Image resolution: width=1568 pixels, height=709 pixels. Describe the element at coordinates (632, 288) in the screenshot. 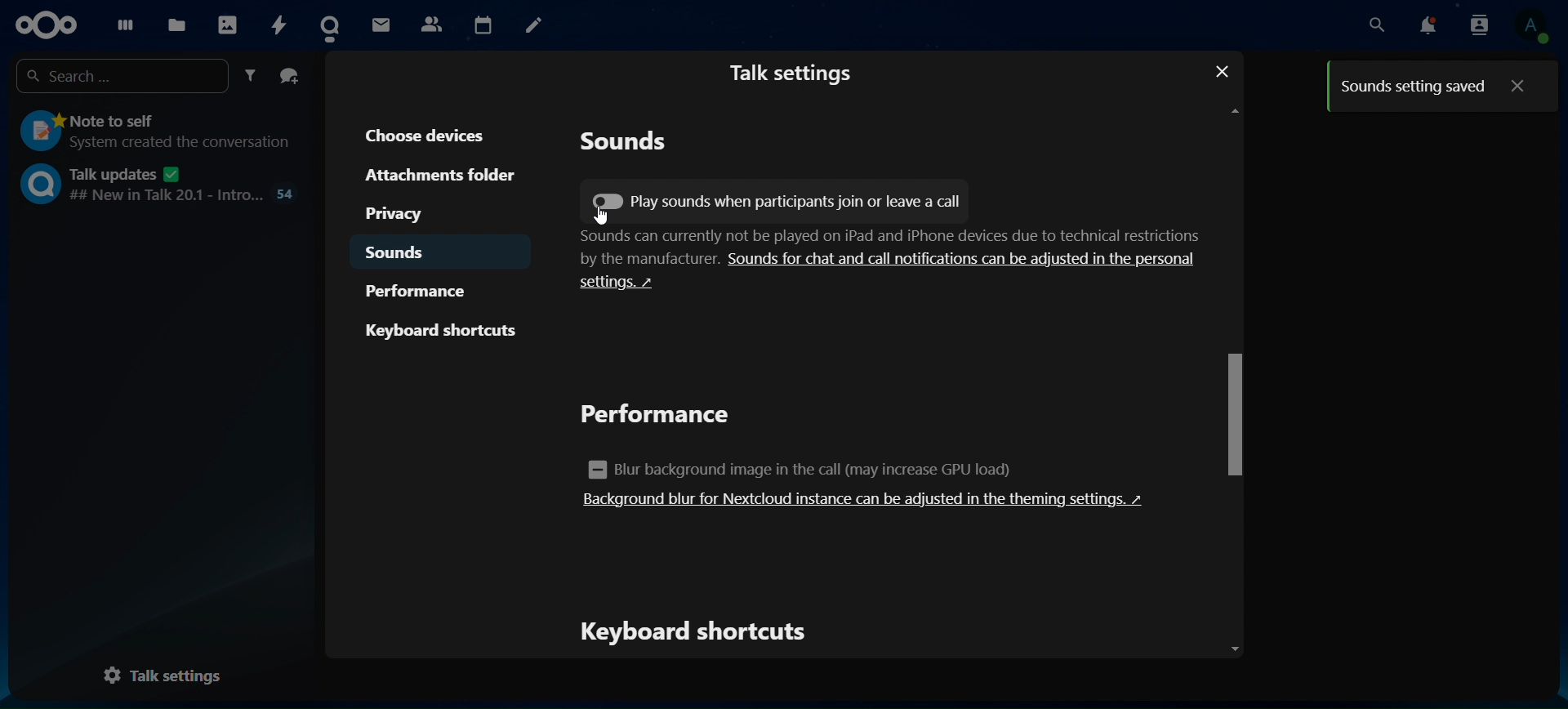

I see `settings` at that location.